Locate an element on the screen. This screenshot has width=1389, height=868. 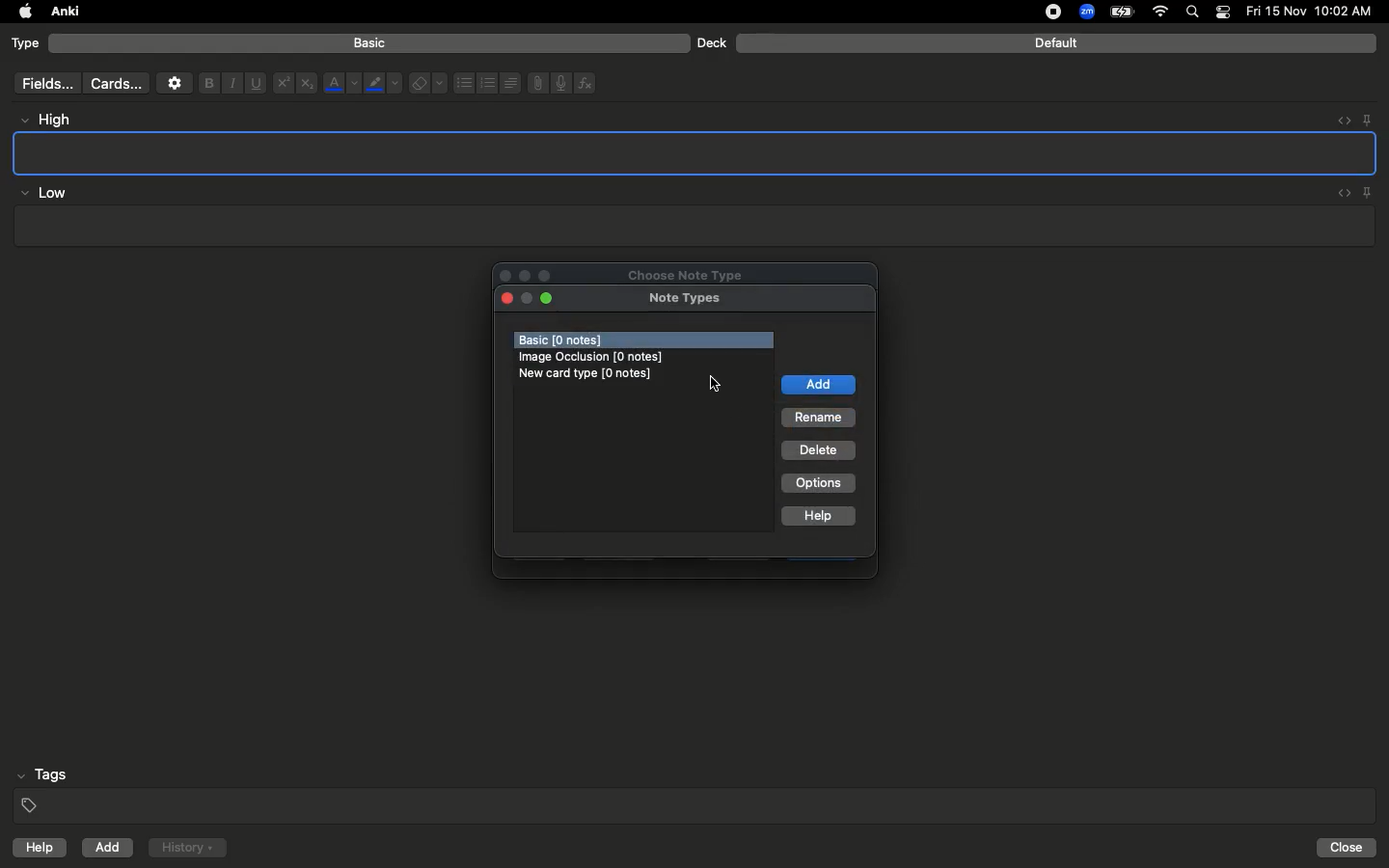
Pin is located at coordinates (1367, 119).